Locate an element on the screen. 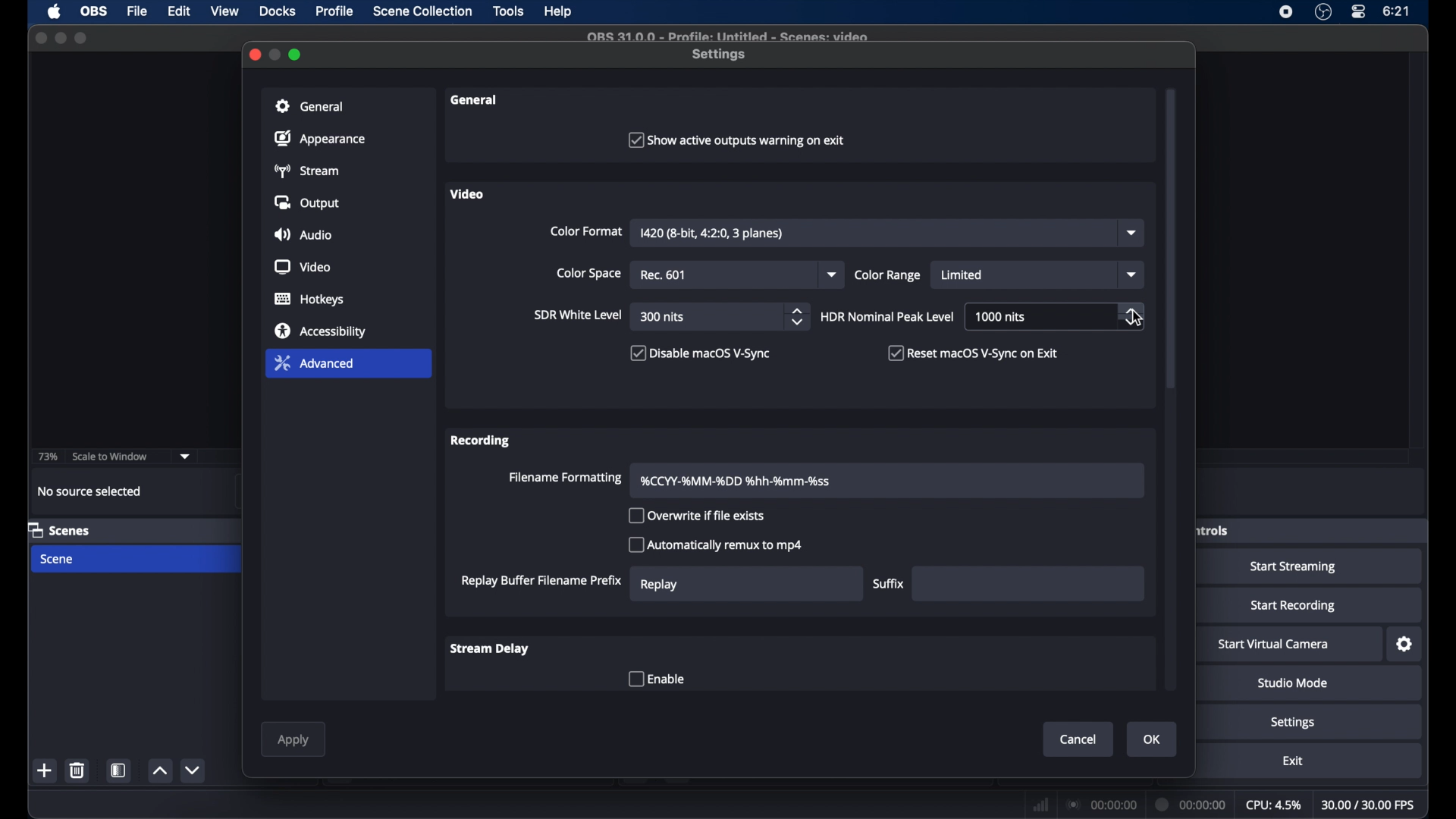 The width and height of the screenshot is (1456, 819). increment is located at coordinates (159, 770).